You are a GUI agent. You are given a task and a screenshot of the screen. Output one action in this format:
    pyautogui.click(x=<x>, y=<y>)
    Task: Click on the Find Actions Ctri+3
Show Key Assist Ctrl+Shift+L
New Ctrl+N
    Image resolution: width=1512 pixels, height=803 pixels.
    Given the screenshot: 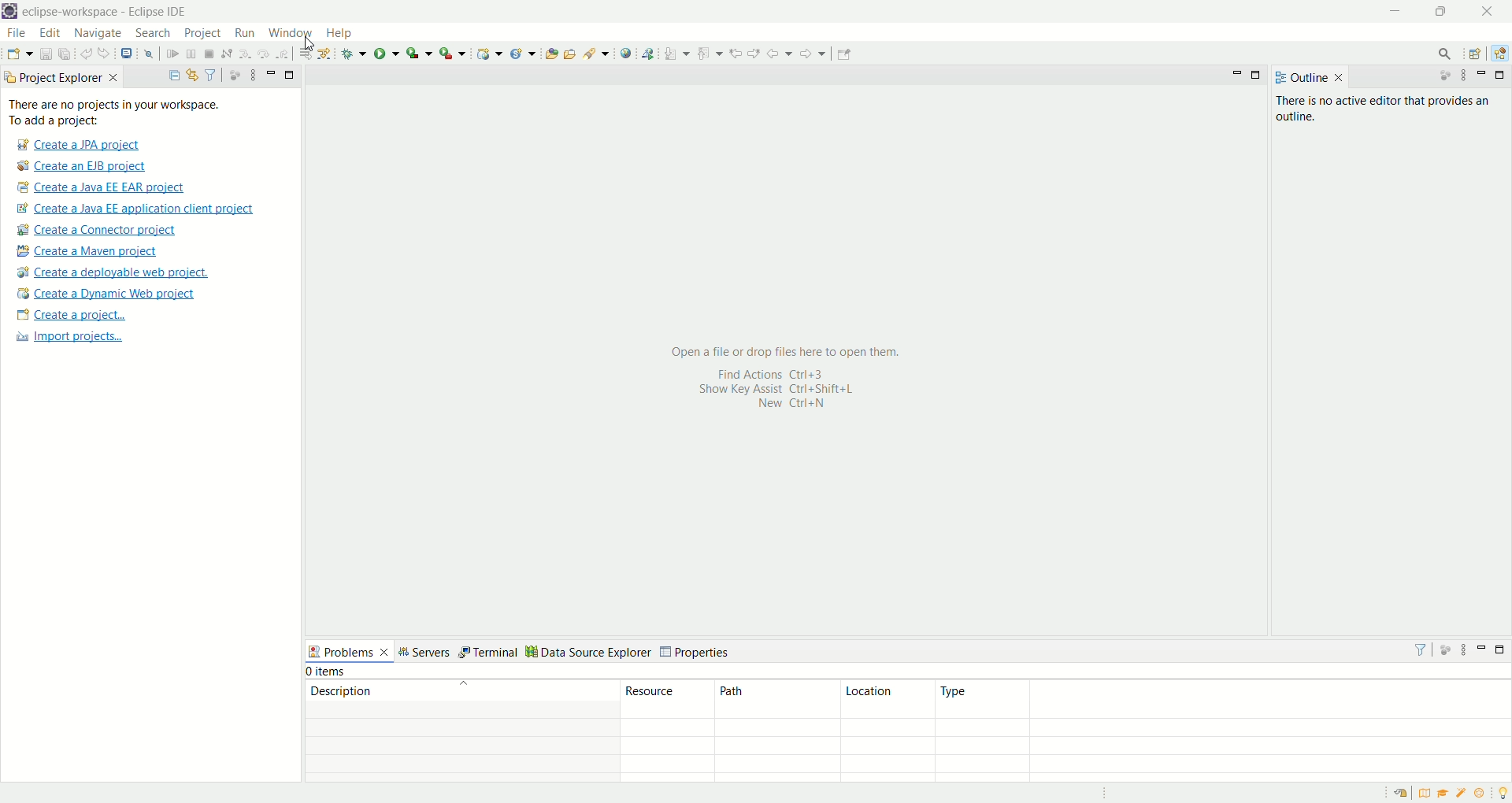 What is the action you would take?
    pyautogui.click(x=780, y=390)
    